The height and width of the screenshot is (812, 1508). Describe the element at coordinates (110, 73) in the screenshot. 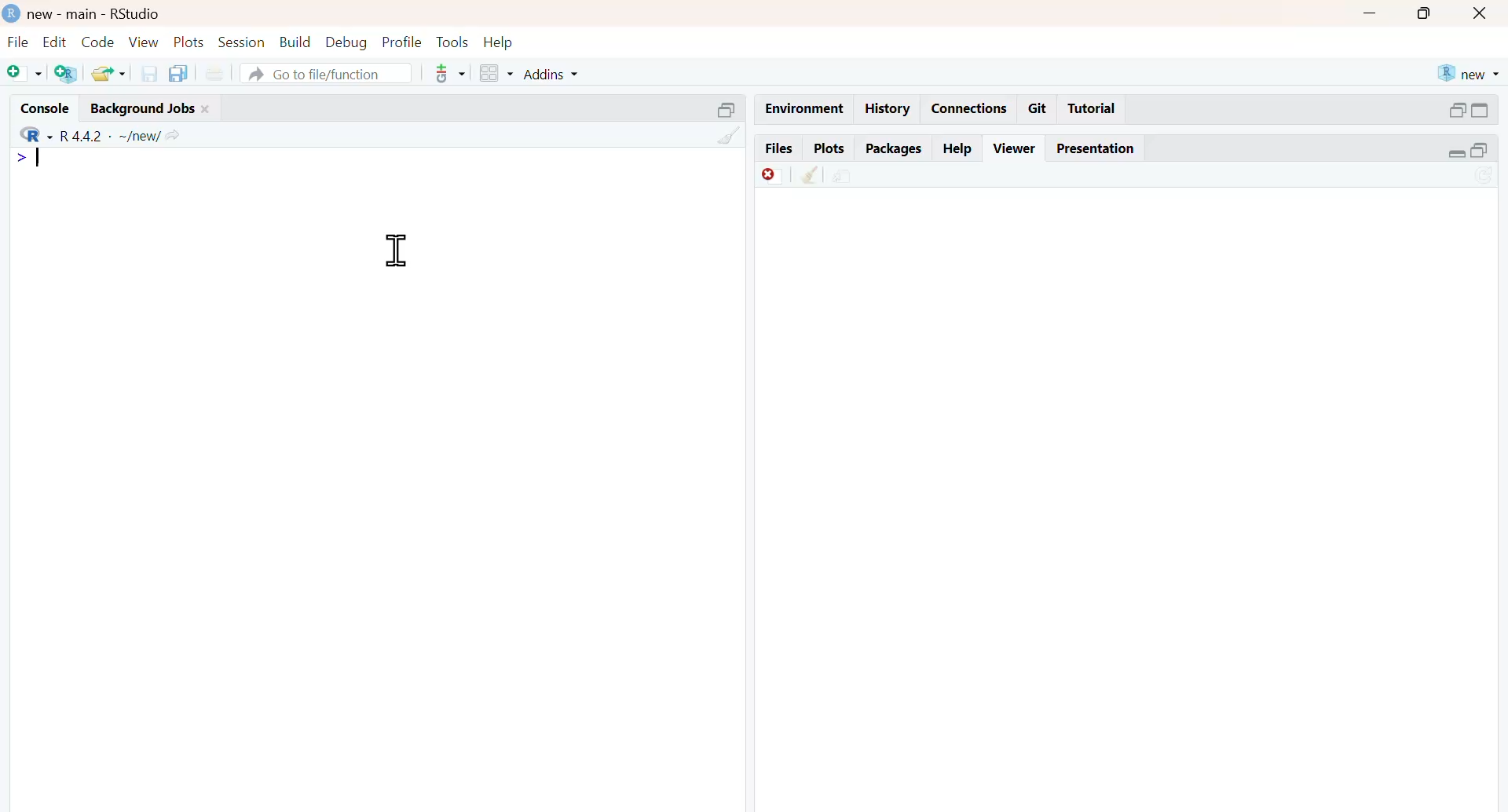

I see `share folder as` at that location.